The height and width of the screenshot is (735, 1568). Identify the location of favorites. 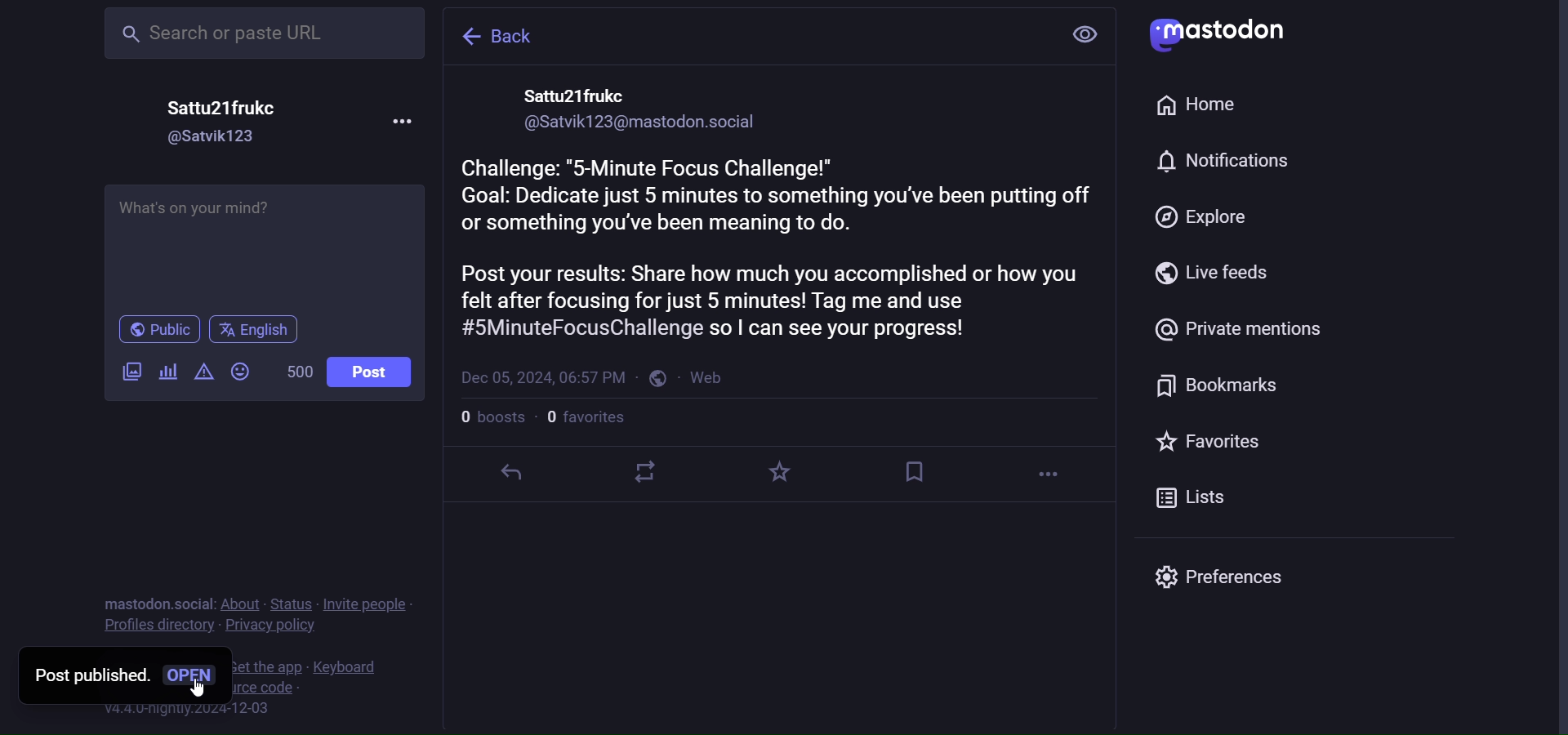
(1214, 443).